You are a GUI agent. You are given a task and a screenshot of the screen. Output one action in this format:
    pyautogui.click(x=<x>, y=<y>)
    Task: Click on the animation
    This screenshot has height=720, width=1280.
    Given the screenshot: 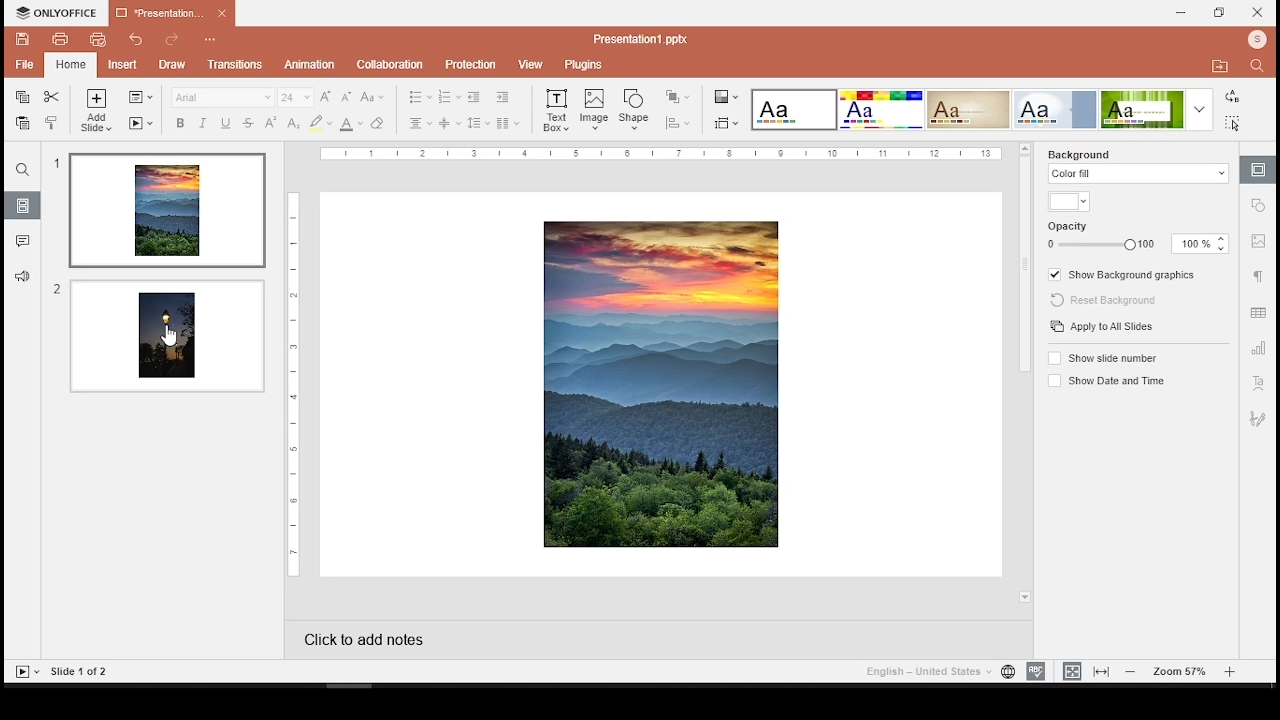 What is the action you would take?
    pyautogui.click(x=311, y=65)
    